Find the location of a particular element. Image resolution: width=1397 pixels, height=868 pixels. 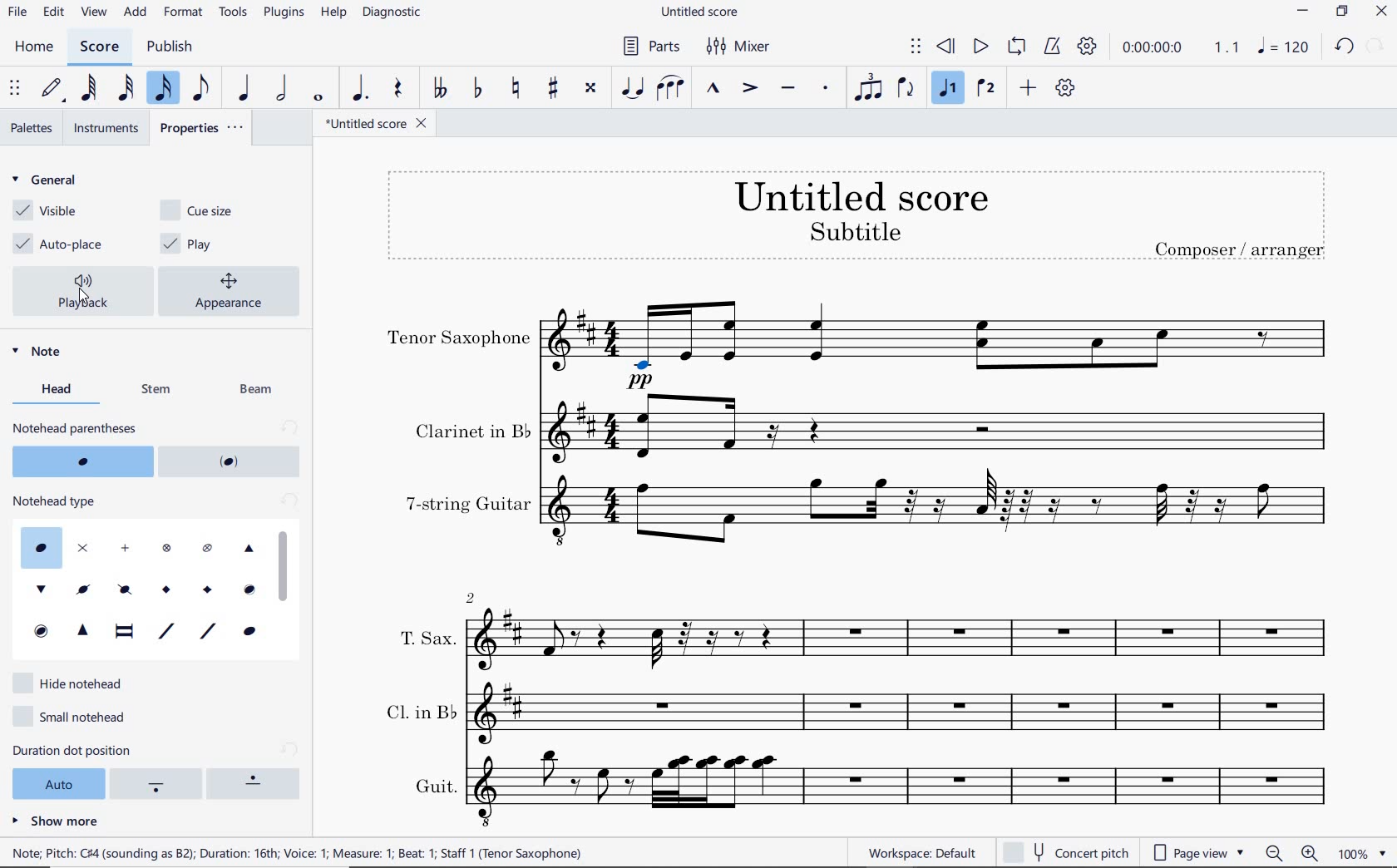

TENUTO is located at coordinates (787, 89).